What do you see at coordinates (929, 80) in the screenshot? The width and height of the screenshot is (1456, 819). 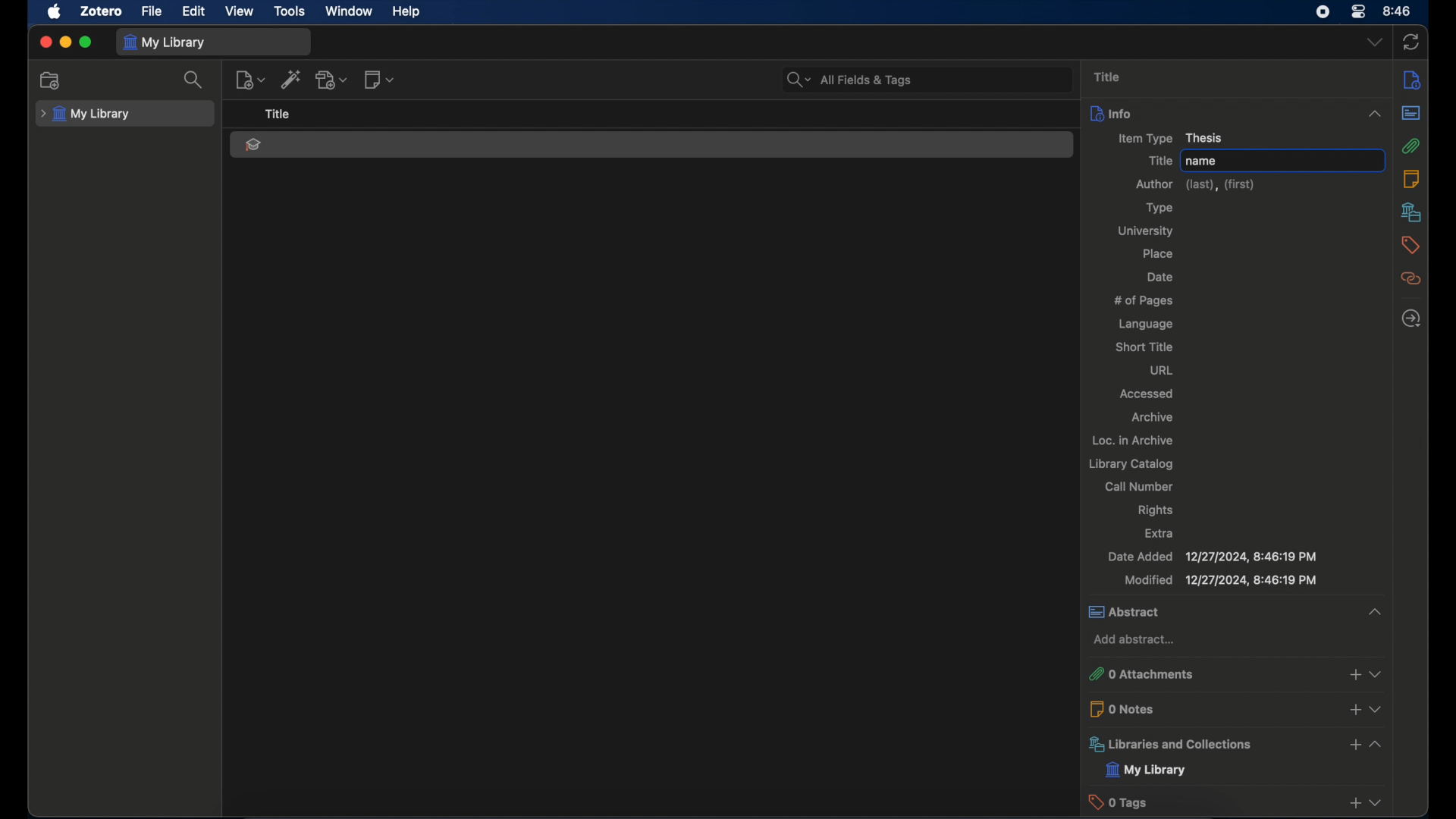 I see `all fields and tags` at bounding box center [929, 80].